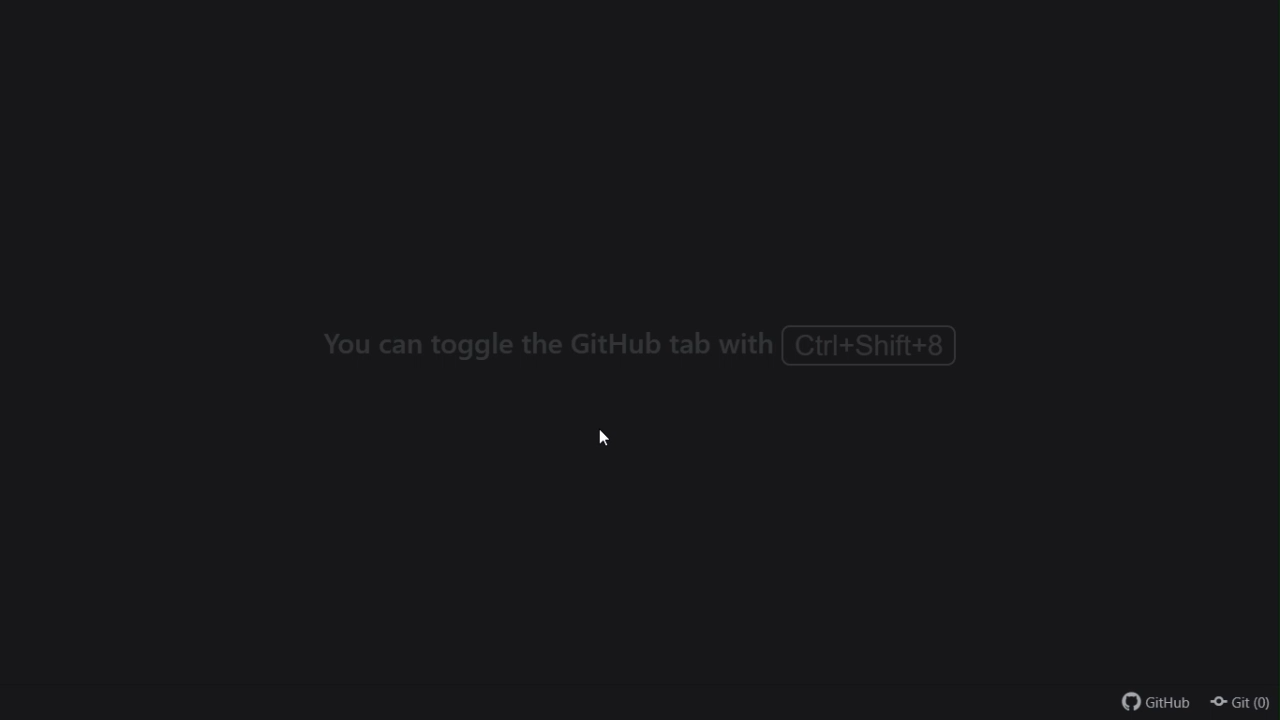 Image resolution: width=1280 pixels, height=720 pixels. Describe the element at coordinates (609, 438) in the screenshot. I see `cursor` at that location.